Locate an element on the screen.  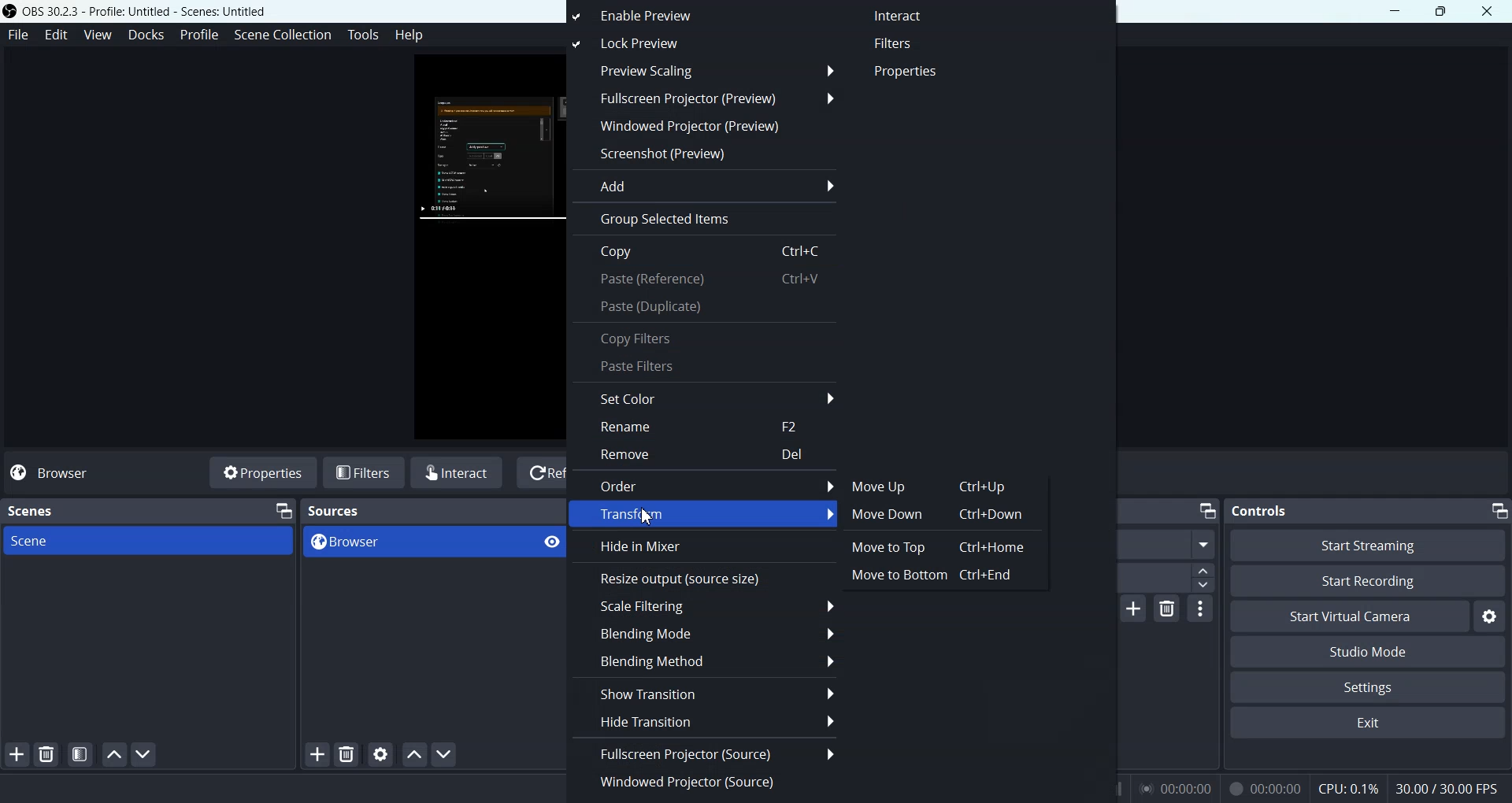
Browser is located at coordinates (61, 472).